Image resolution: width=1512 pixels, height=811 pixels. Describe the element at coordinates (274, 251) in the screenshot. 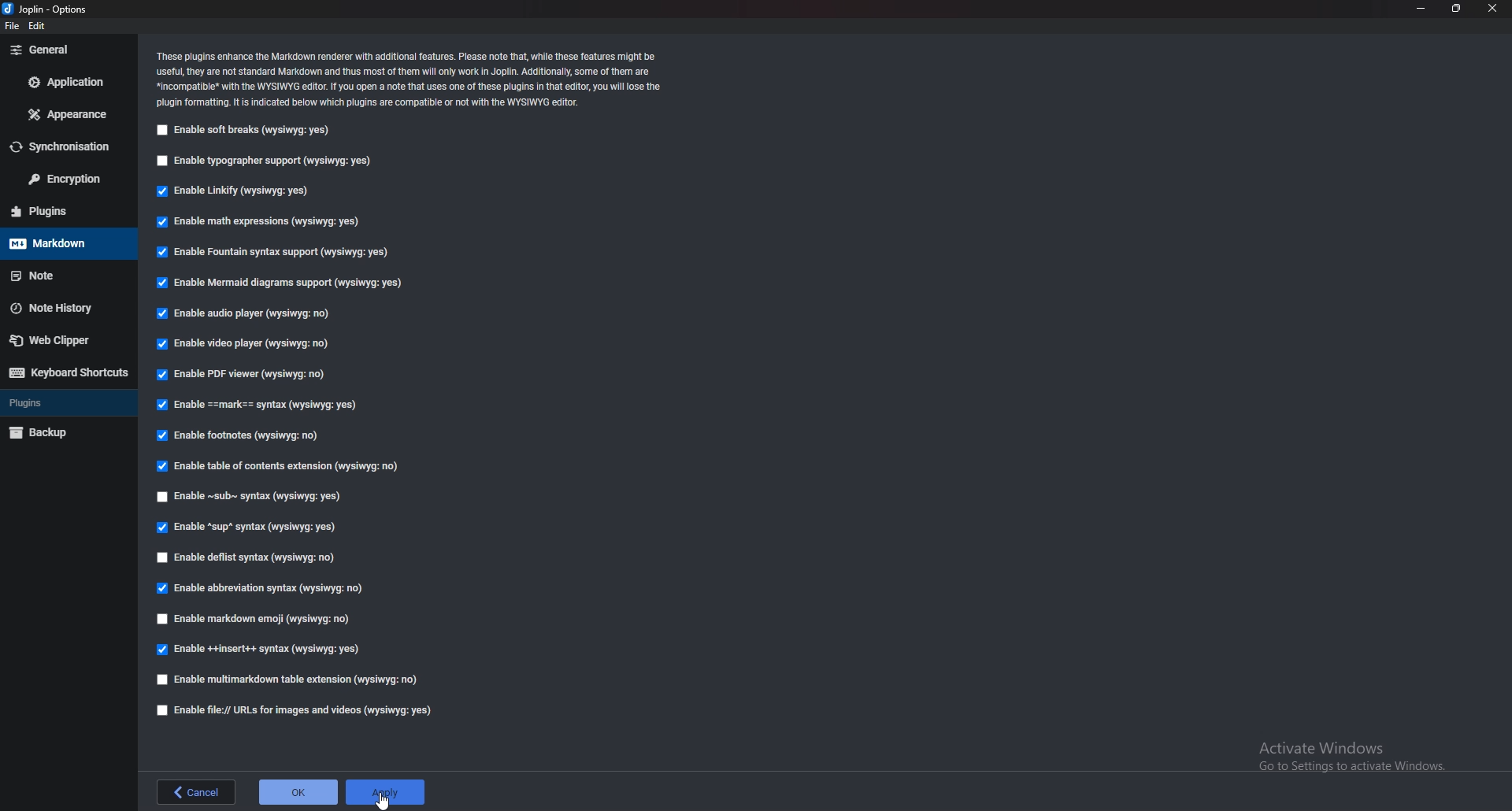

I see `Enable fountain syntax` at that location.